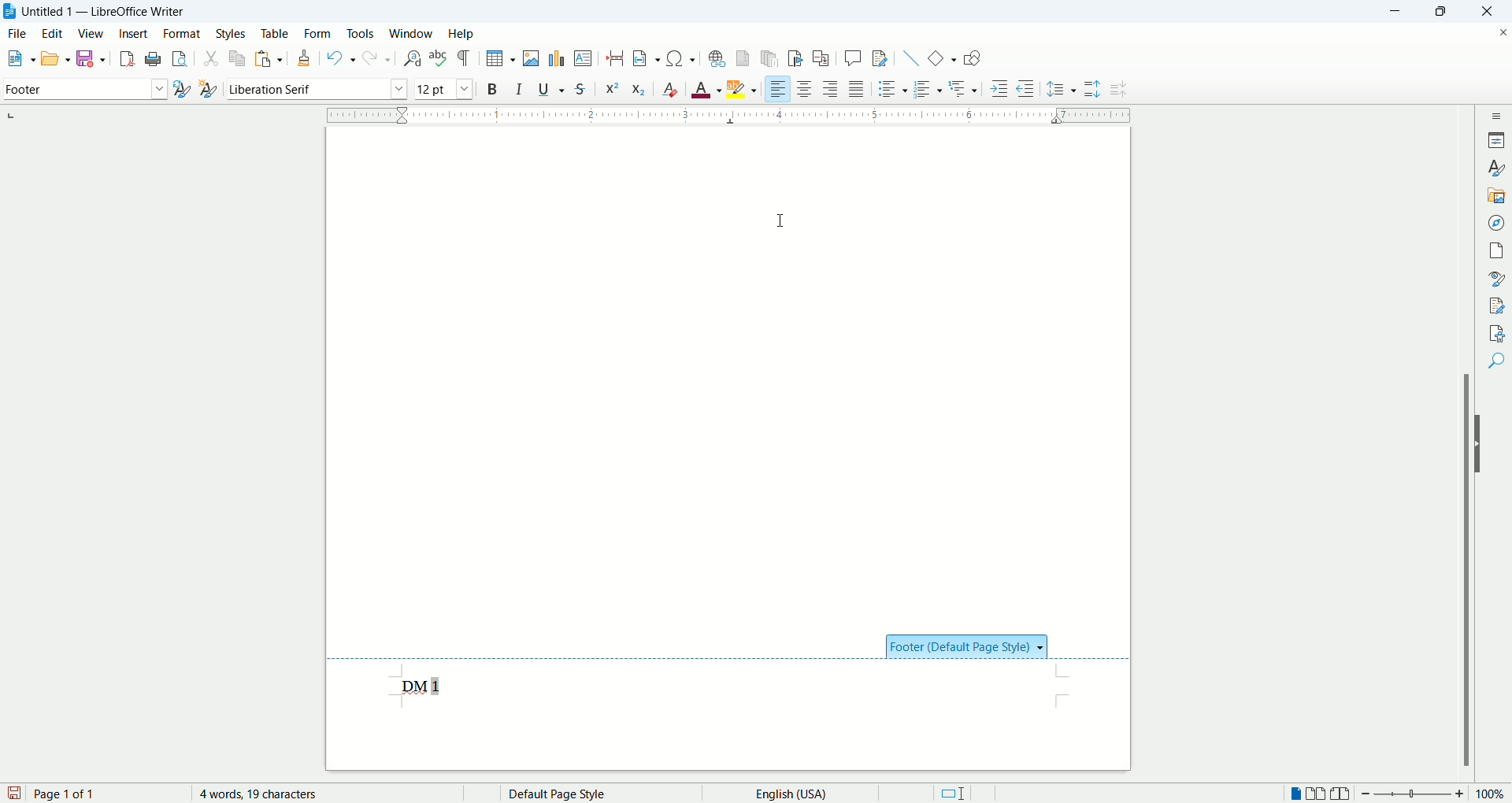 This screenshot has width=1512, height=803. Describe the element at coordinates (929, 90) in the screenshot. I see `ordered list` at that location.